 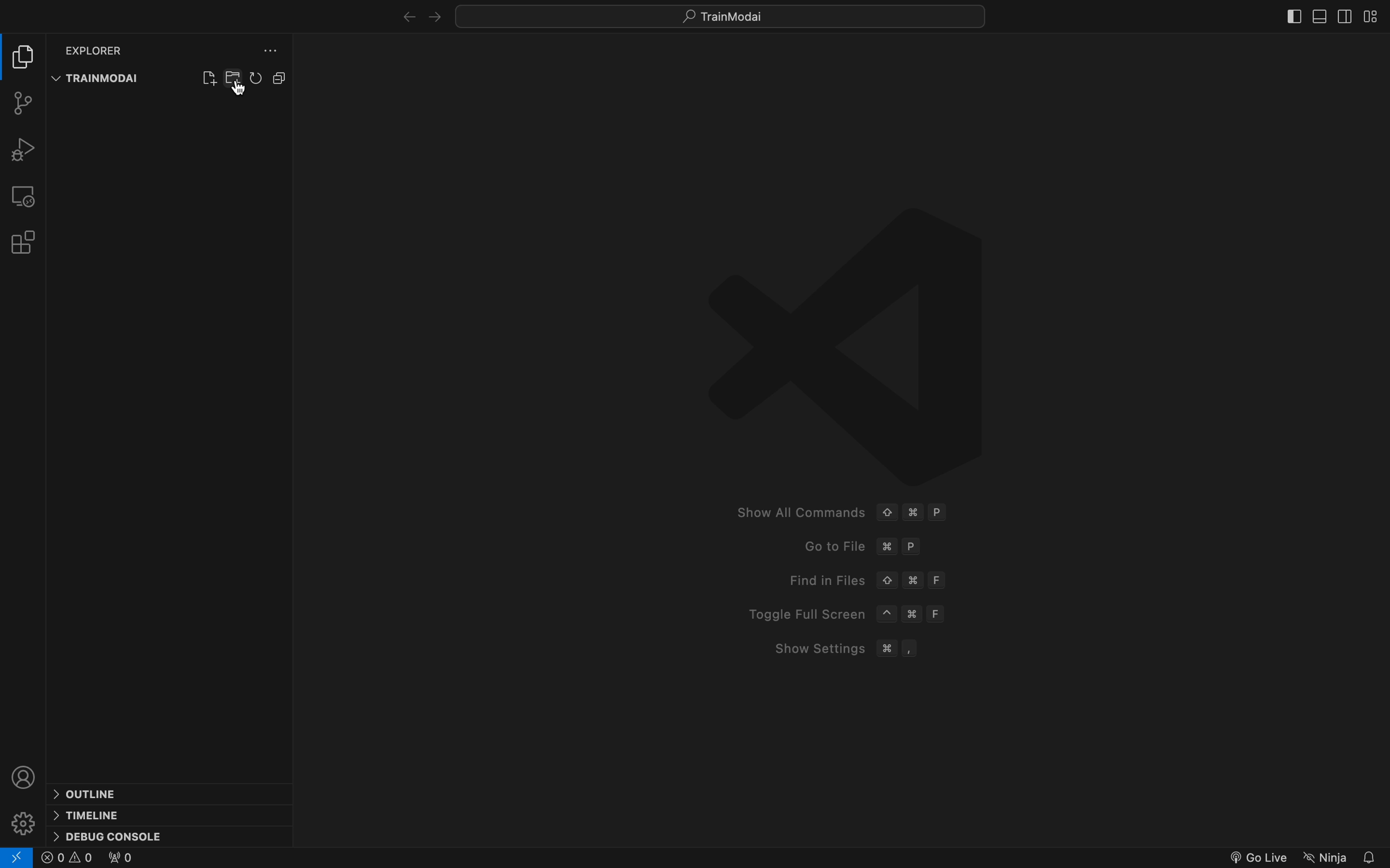 What do you see at coordinates (727, 18) in the screenshot?
I see `Quick open` at bounding box center [727, 18].